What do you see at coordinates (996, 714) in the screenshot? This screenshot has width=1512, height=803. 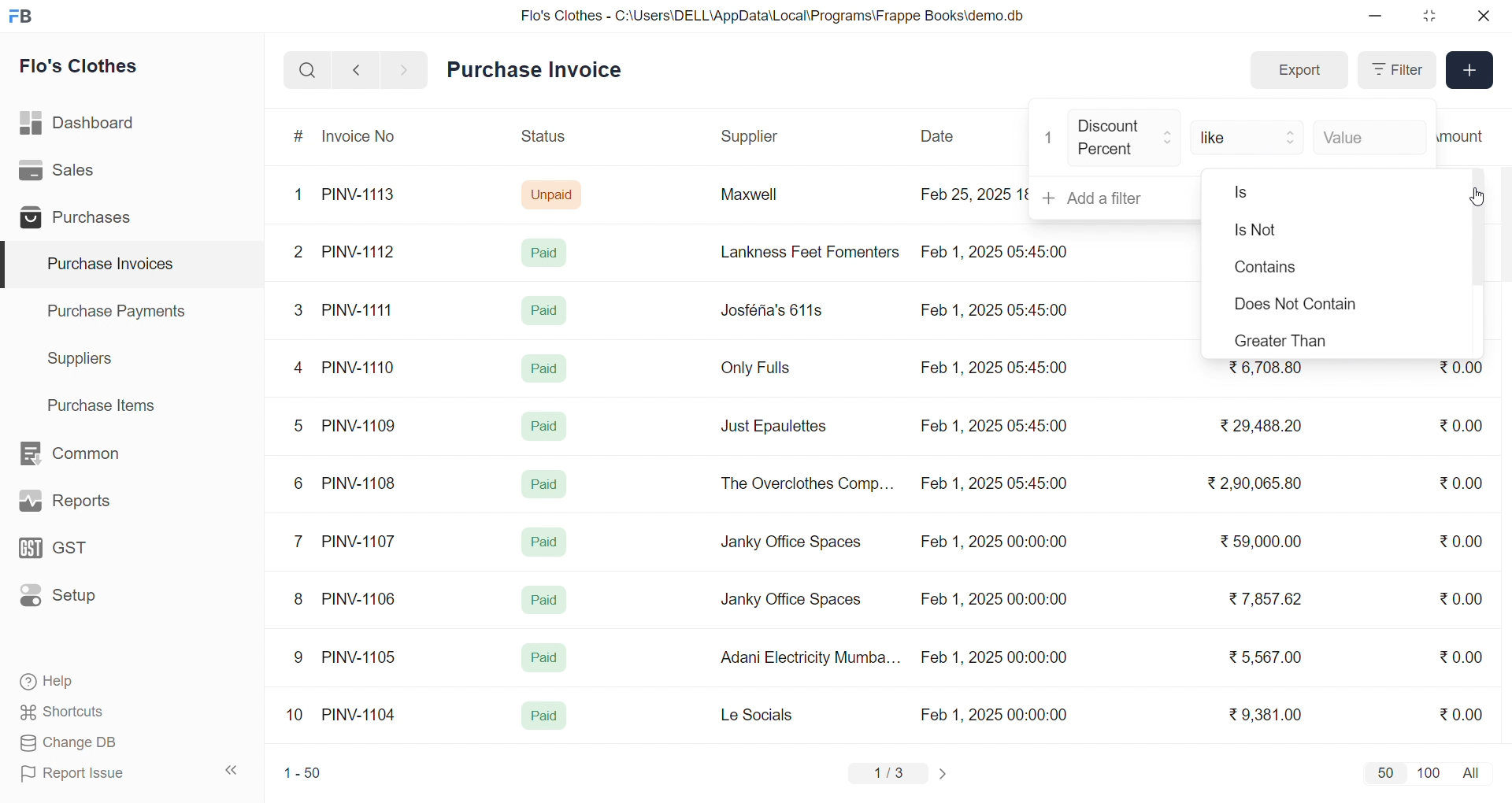 I see `Feb 1, 2025 00:00:00` at bounding box center [996, 714].